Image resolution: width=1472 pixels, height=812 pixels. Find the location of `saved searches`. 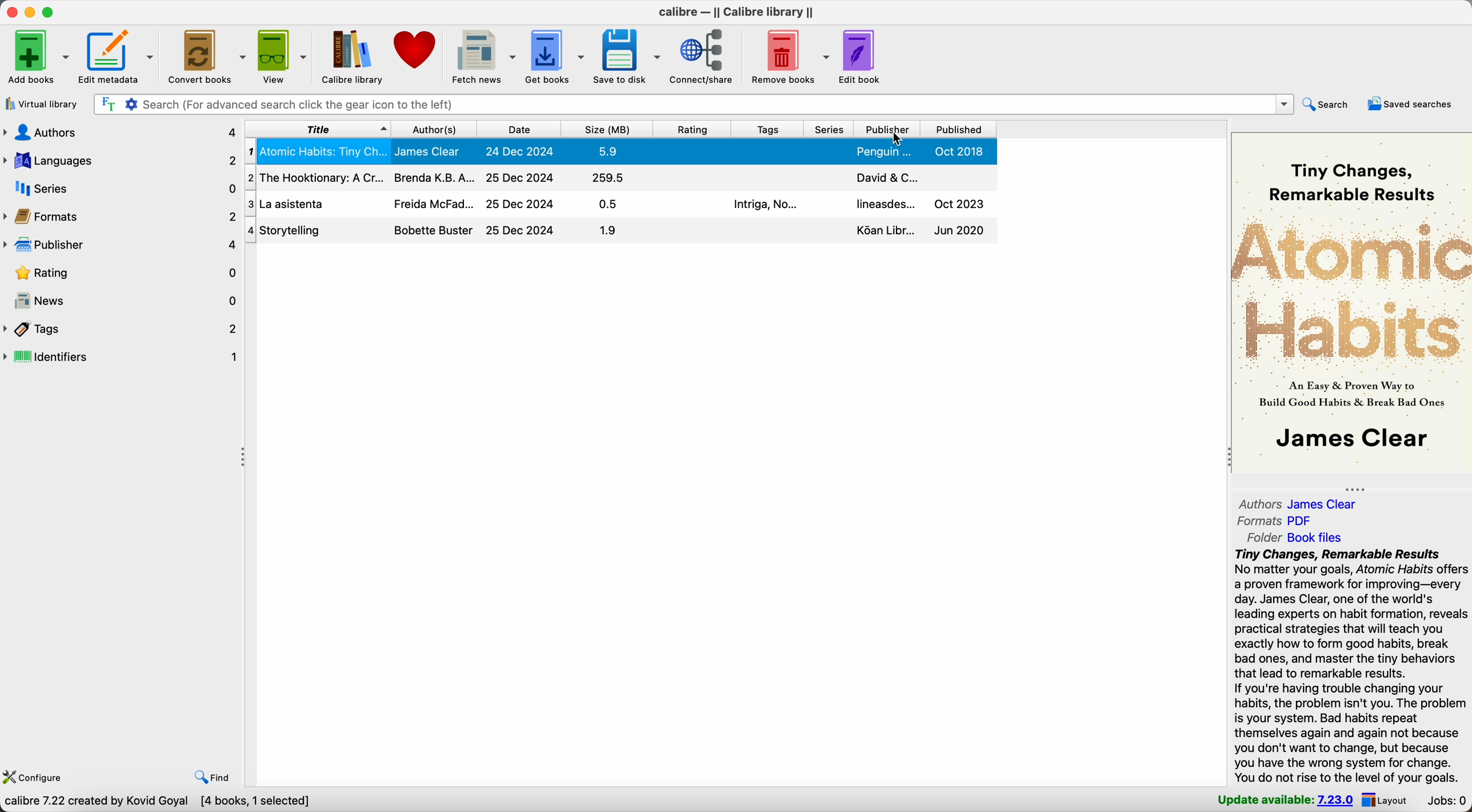

saved searches is located at coordinates (1411, 105).